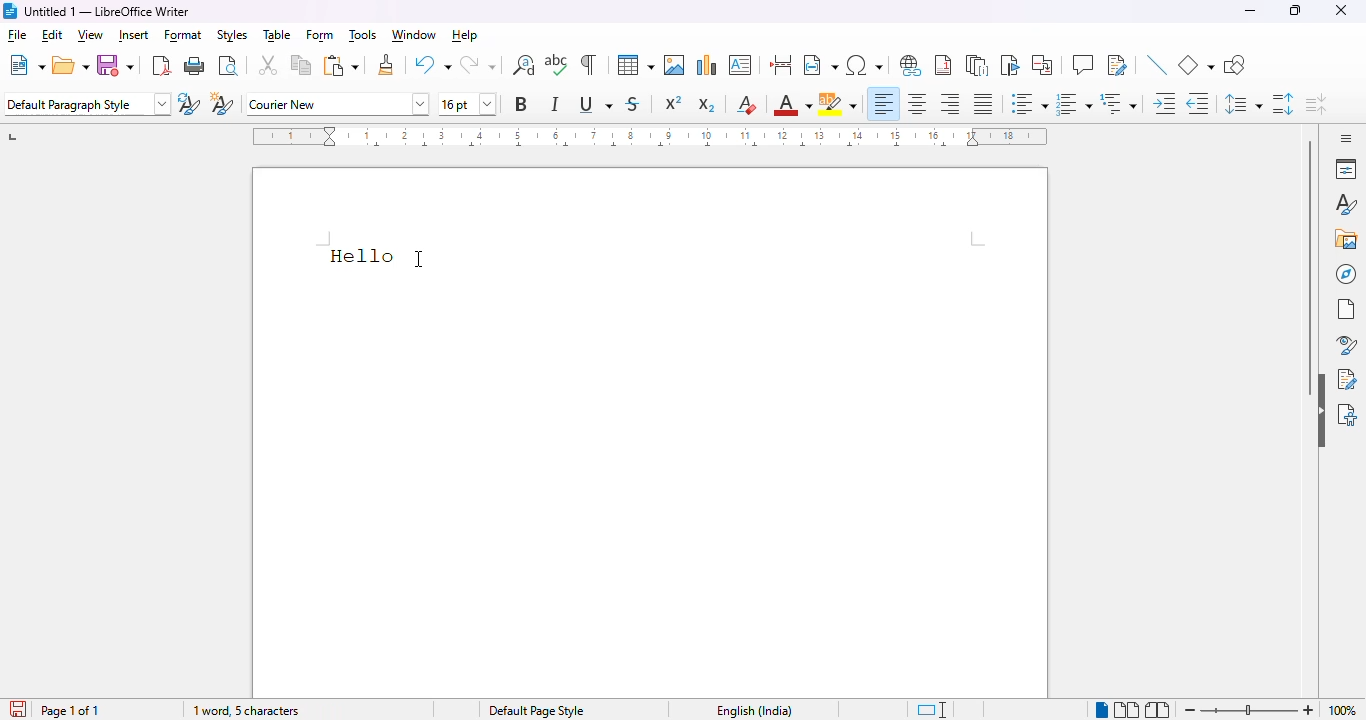 This screenshot has width=1366, height=720. What do you see at coordinates (1009, 65) in the screenshot?
I see `insert bookmark` at bounding box center [1009, 65].